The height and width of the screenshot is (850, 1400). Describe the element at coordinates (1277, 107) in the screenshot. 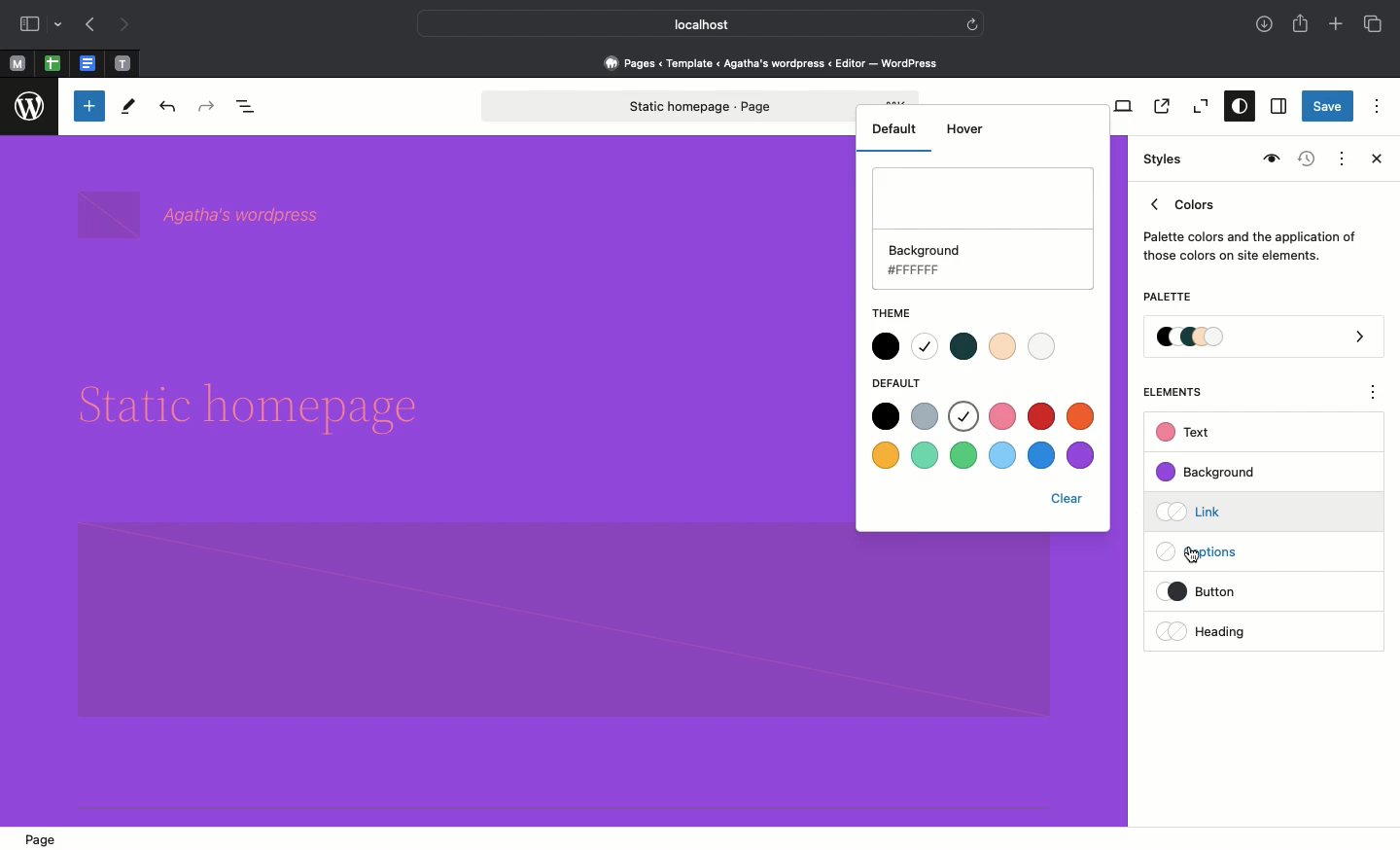

I see `Settings` at that location.